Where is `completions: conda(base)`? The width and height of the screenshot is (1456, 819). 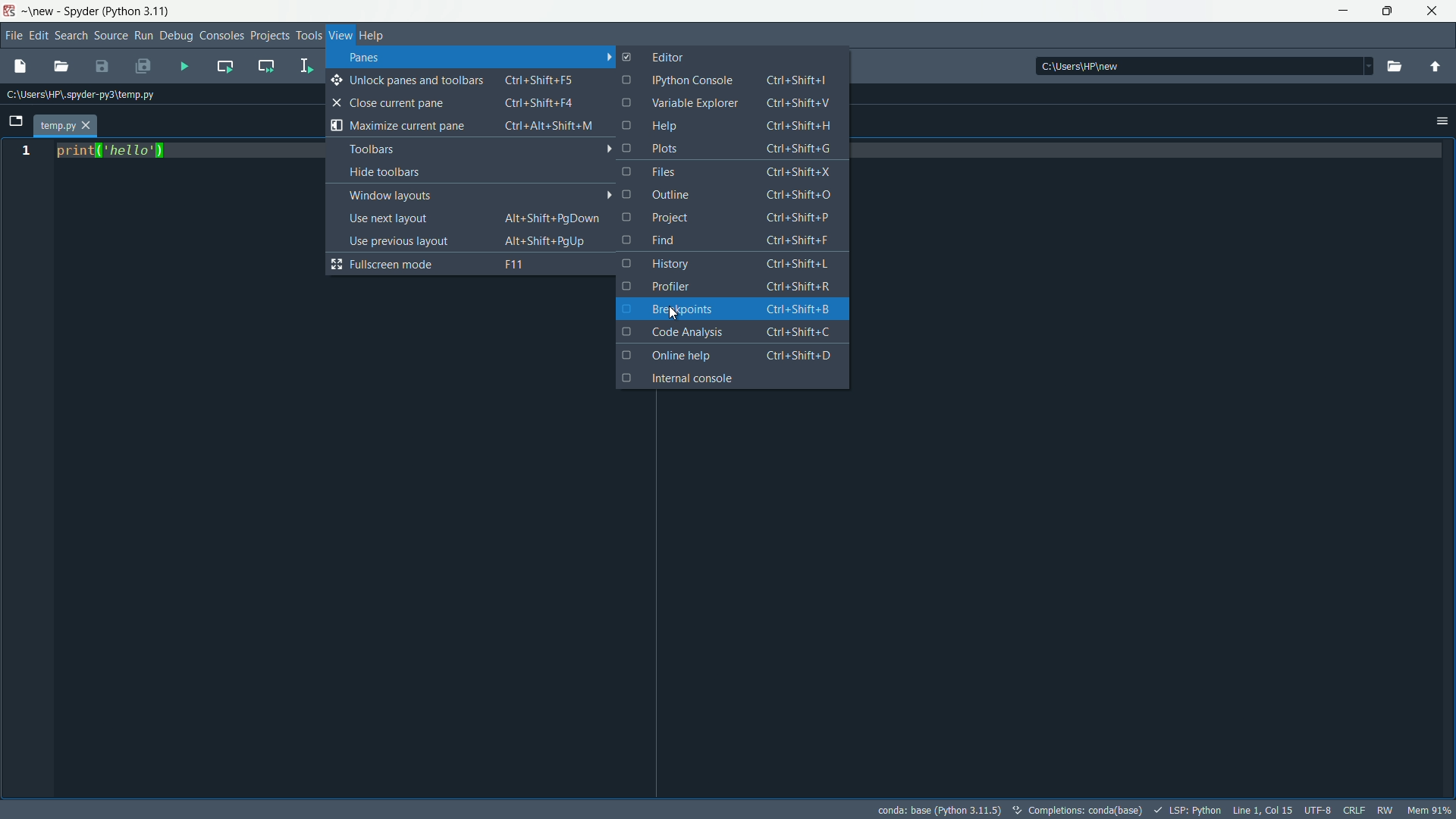 completions: conda(base) is located at coordinates (1080, 810).